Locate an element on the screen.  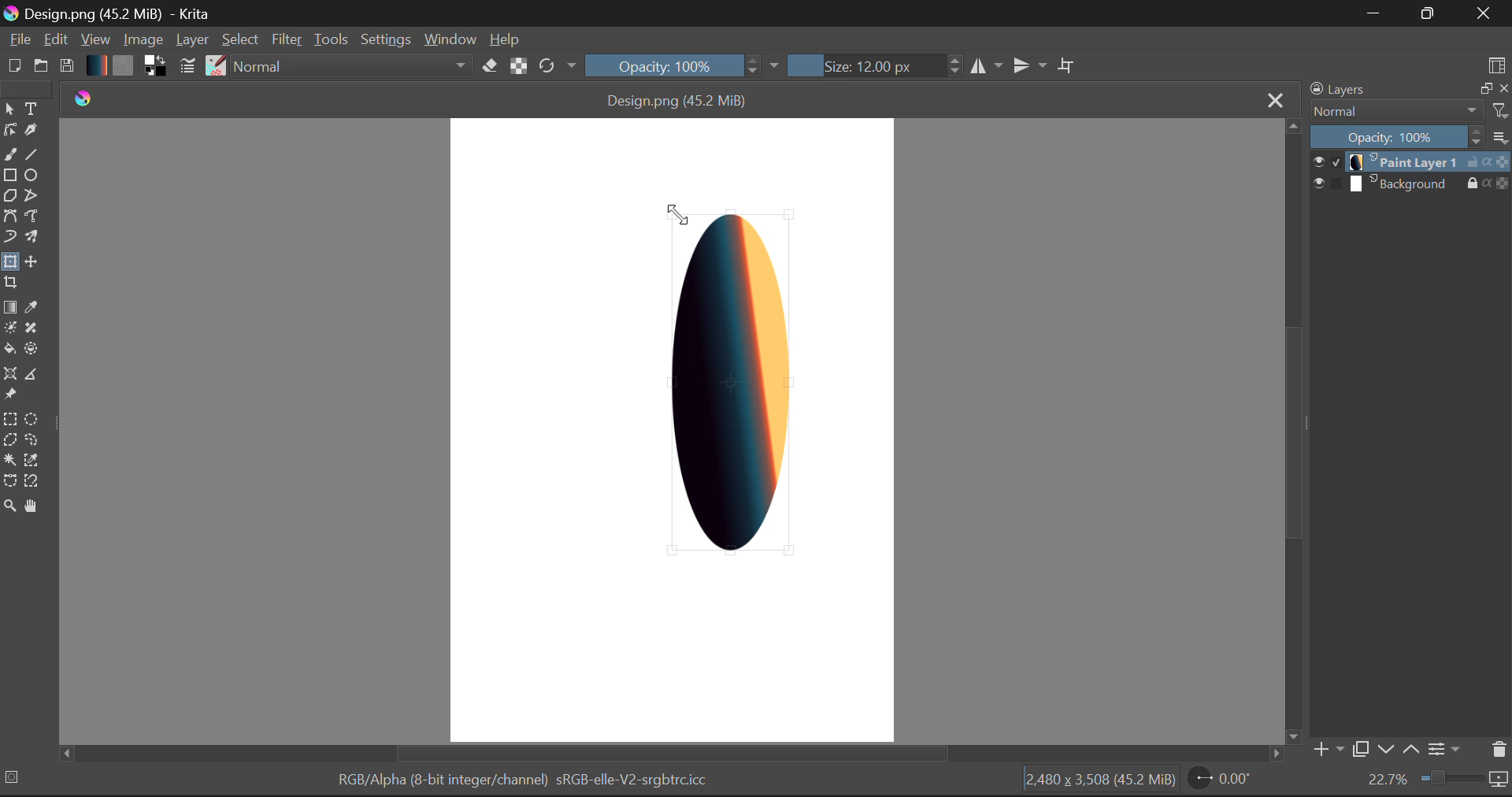
Settings is located at coordinates (384, 39).